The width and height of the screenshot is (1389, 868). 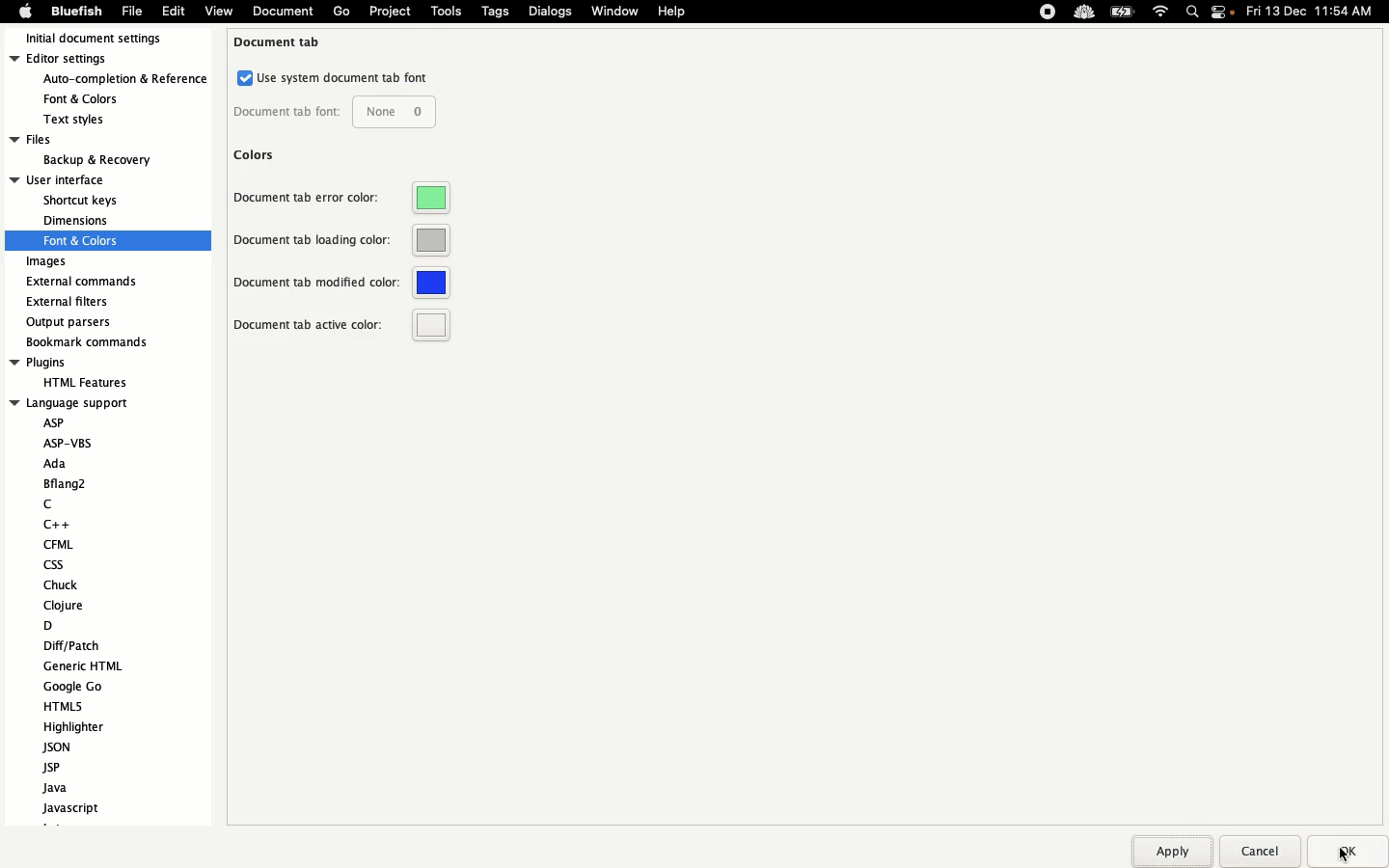 What do you see at coordinates (82, 202) in the screenshot?
I see `shortcut keys` at bounding box center [82, 202].